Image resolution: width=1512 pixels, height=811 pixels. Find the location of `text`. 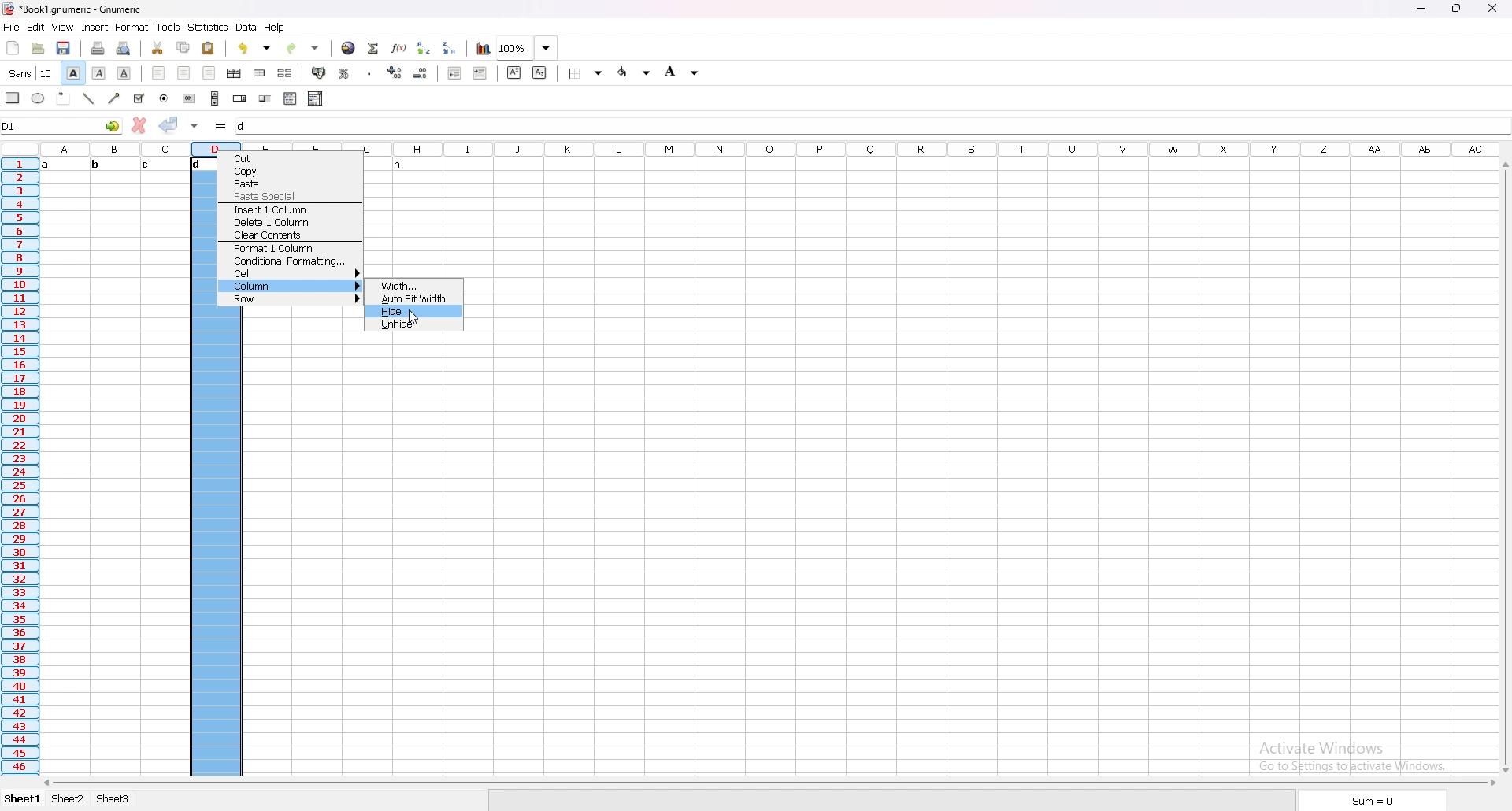

text is located at coordinates (127, 163).